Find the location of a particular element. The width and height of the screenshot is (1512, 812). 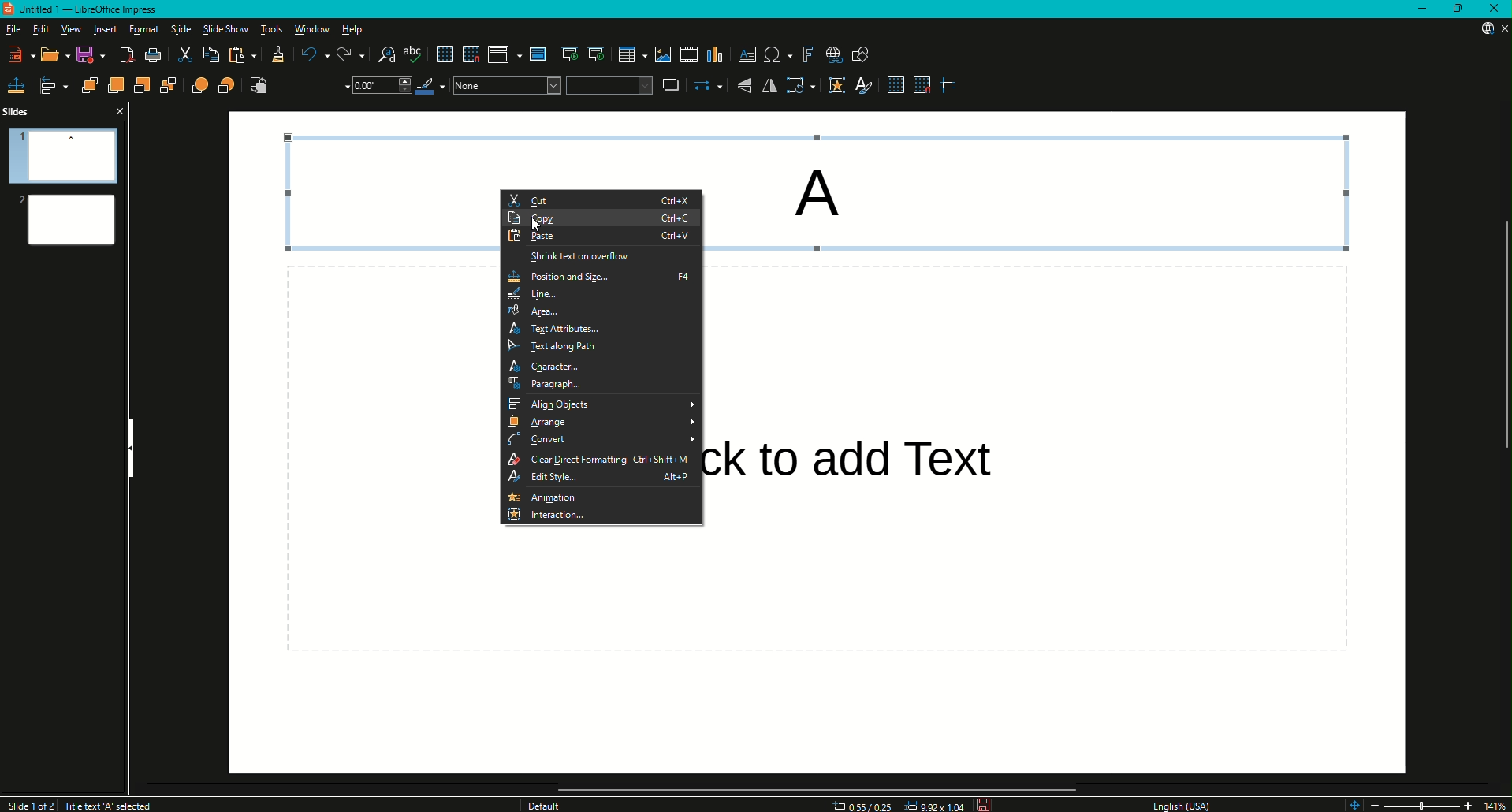

Paste is located at coordinates (603, 238).